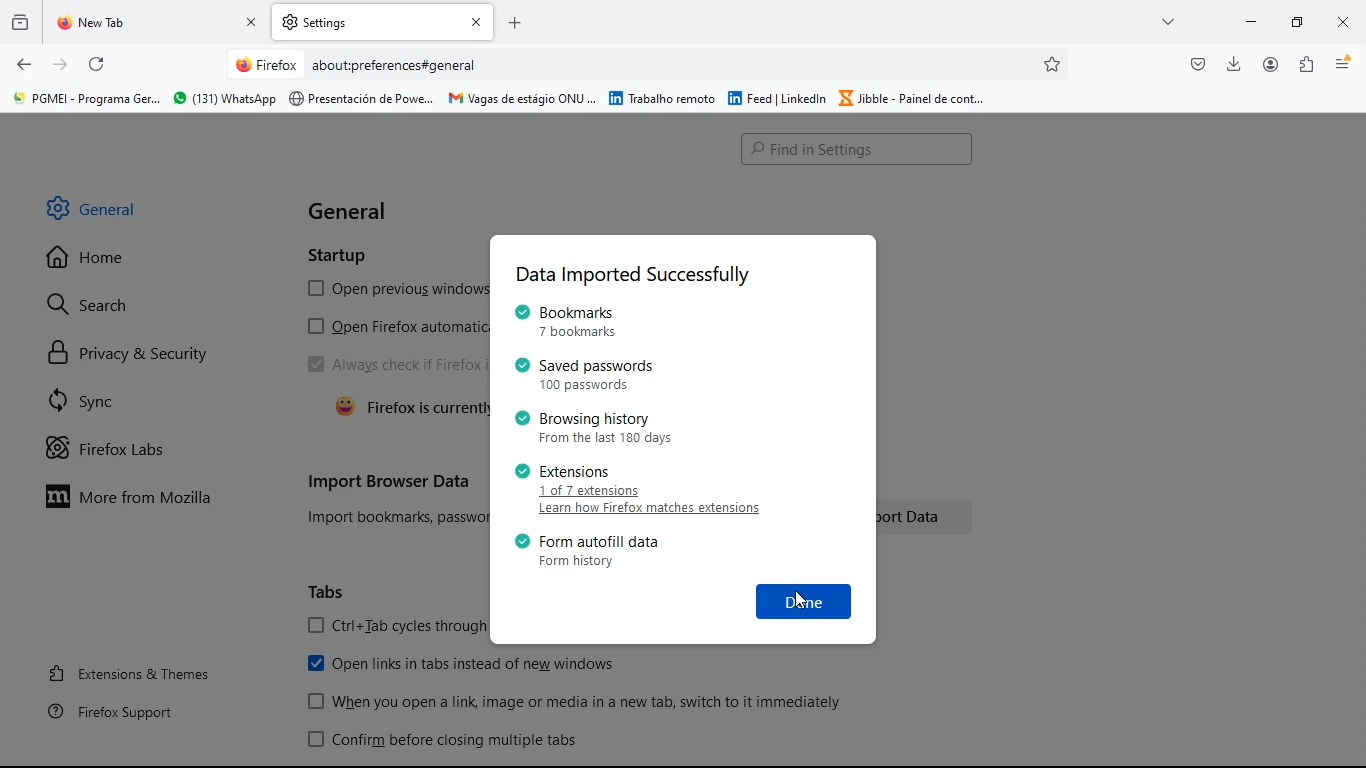  What do you see at coordinates (1235, 64) in the screenshot?
I see `download` at bounding box center [1235, 64].